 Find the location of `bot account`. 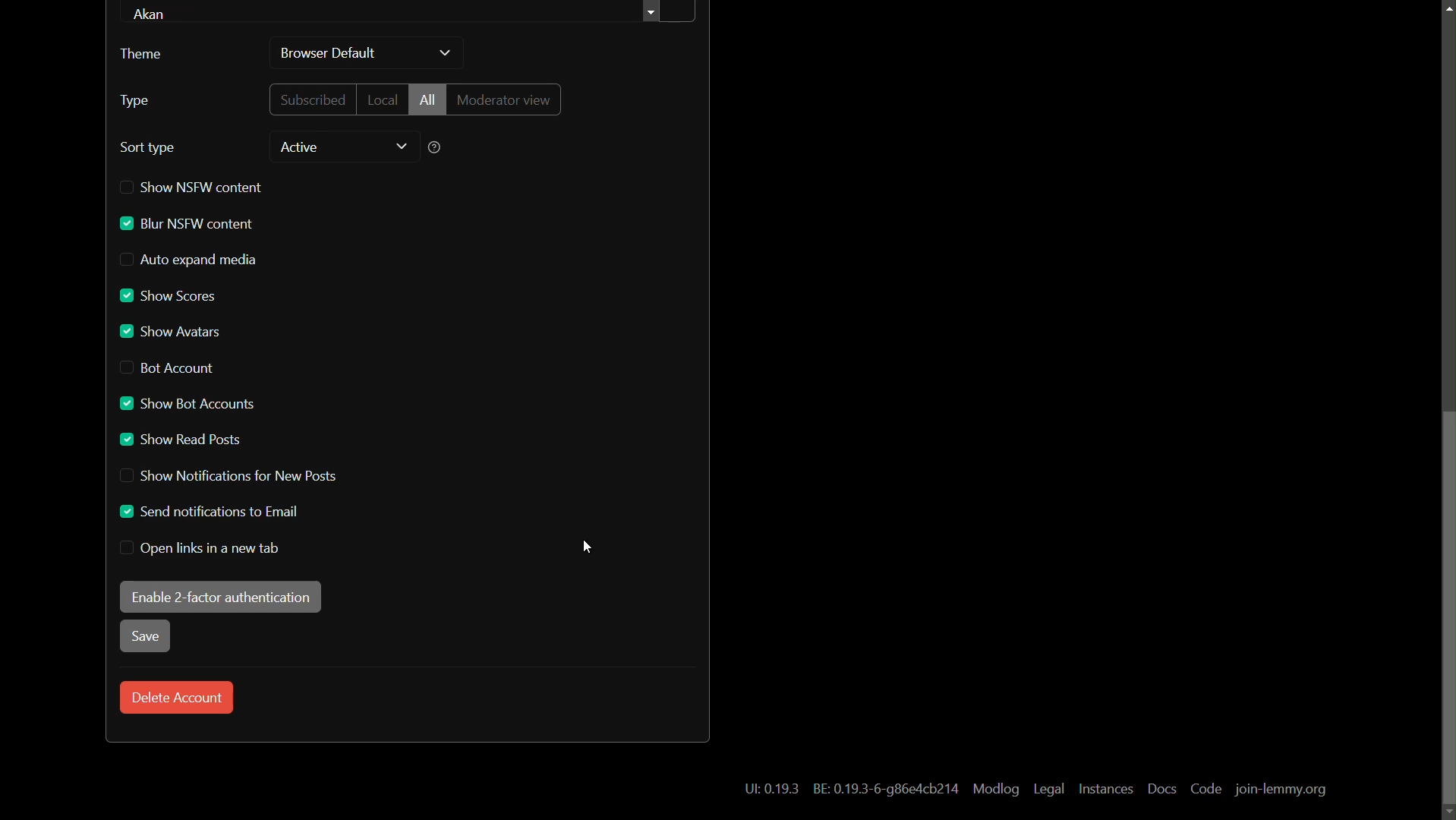

bot account is located at coordinates (166, 369).